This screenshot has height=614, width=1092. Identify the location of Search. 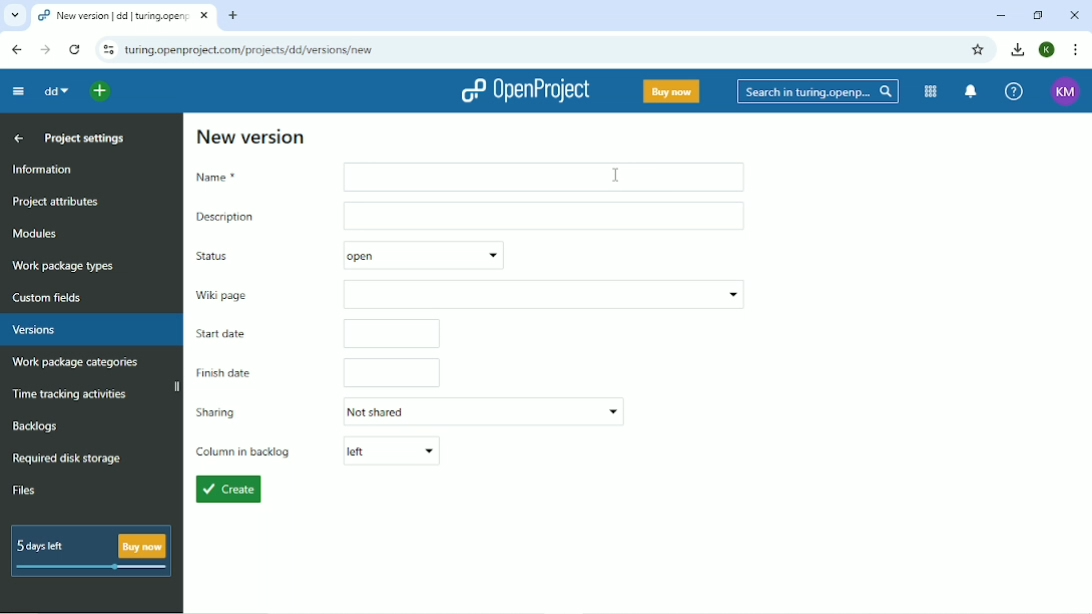
(819, 92).